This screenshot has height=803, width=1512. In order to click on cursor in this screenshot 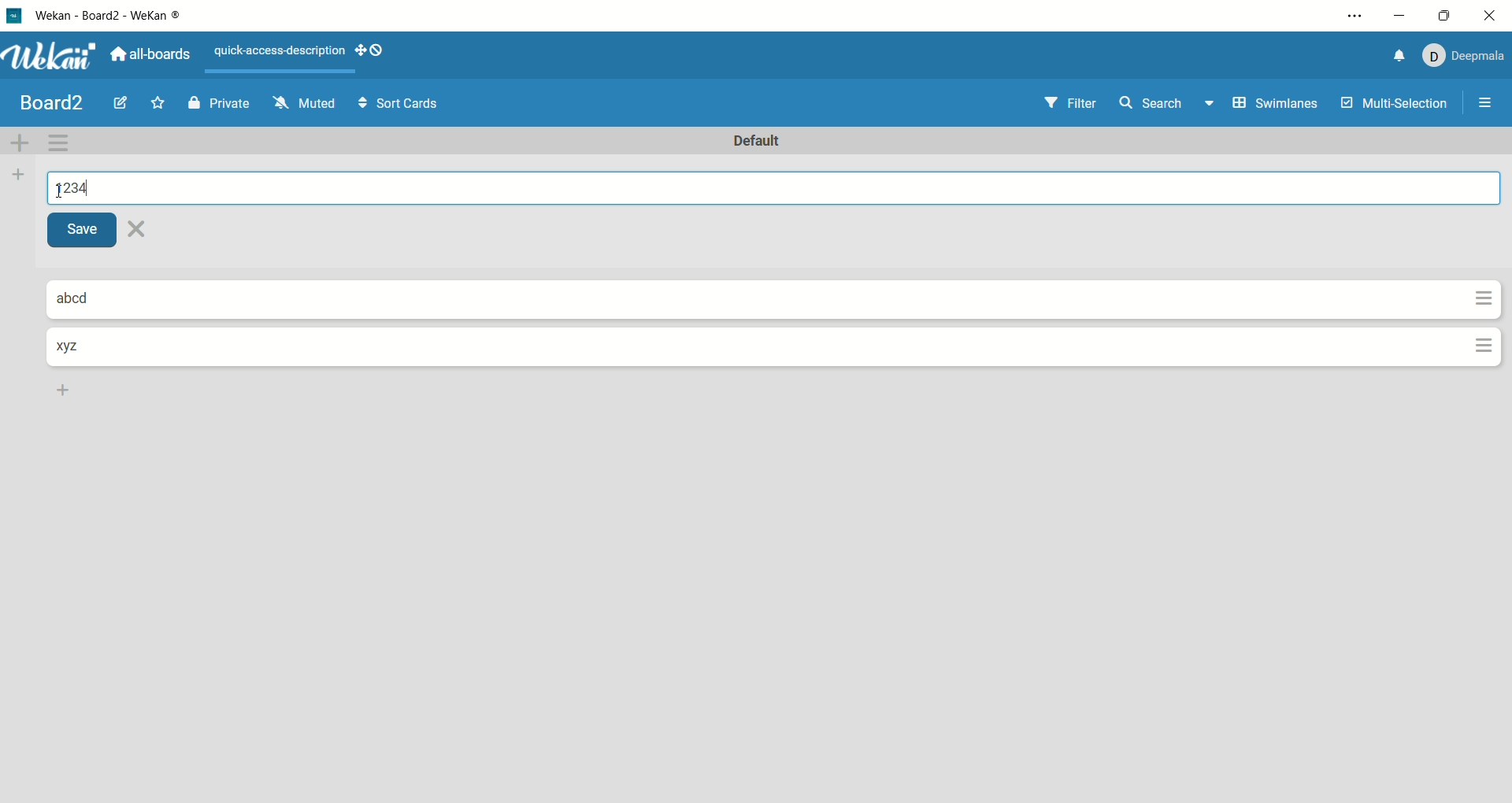, I will do `click(61, 198)`.